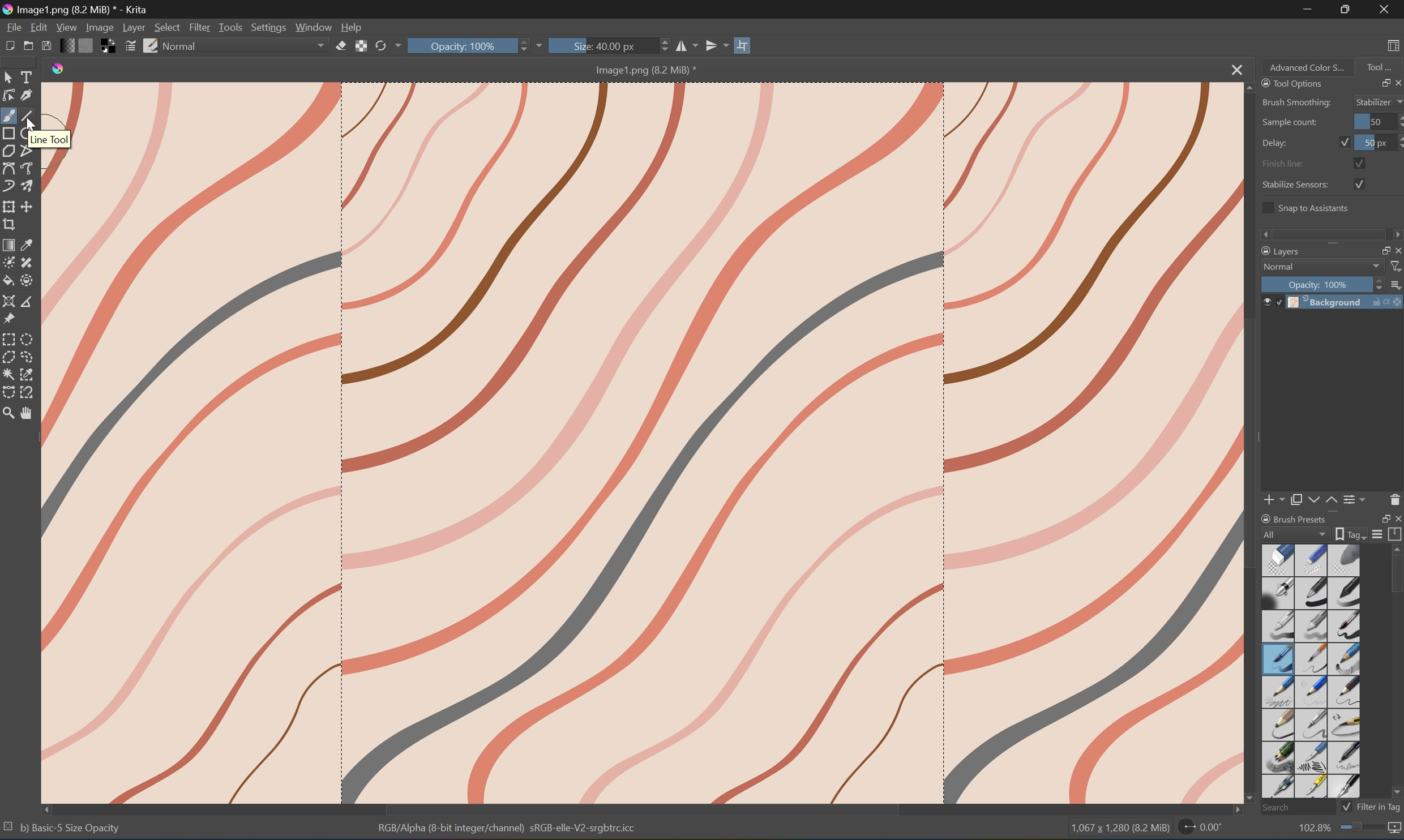  Describe the element at coordinates (716, 44) in the screenshot. I see `Vertical Mirror tool` at that location.